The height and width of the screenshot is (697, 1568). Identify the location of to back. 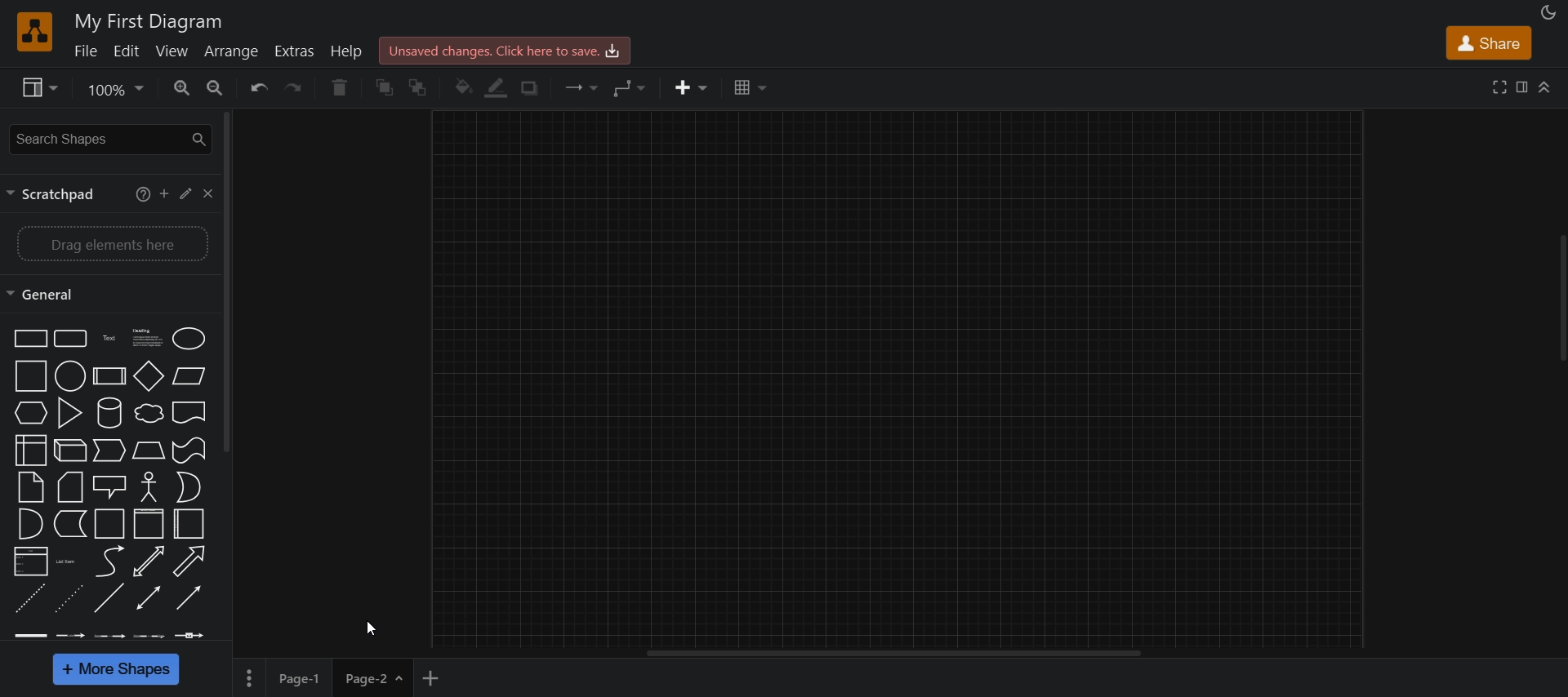
(424, 89).